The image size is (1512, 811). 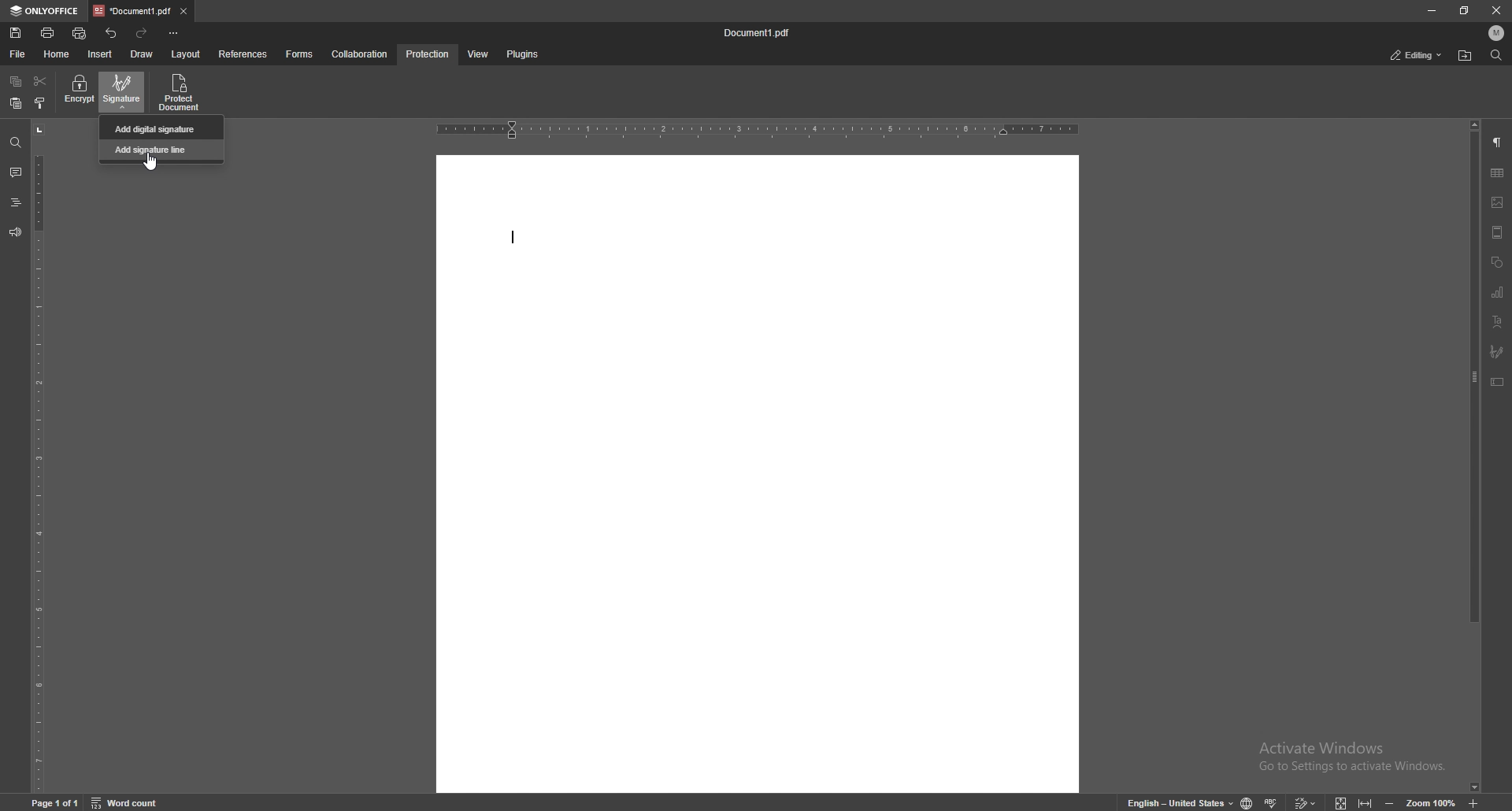 What do you see at coordinates (1431, 9) in the screenshot?
I see `minimize` at bounding box center [1431, 9].